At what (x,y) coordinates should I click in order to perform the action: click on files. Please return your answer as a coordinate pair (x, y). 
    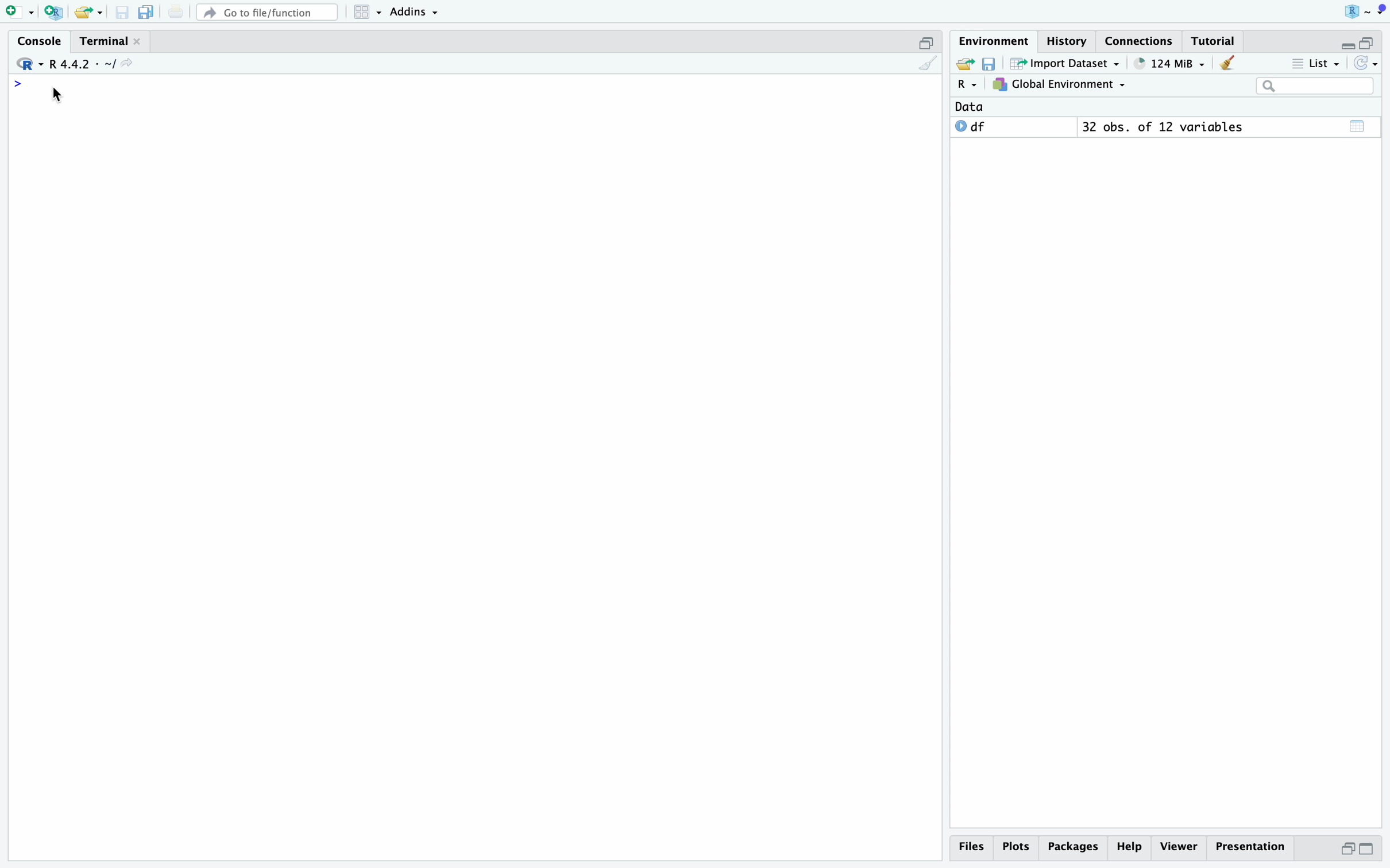
    Looking at the image, I should click on (975, 847).